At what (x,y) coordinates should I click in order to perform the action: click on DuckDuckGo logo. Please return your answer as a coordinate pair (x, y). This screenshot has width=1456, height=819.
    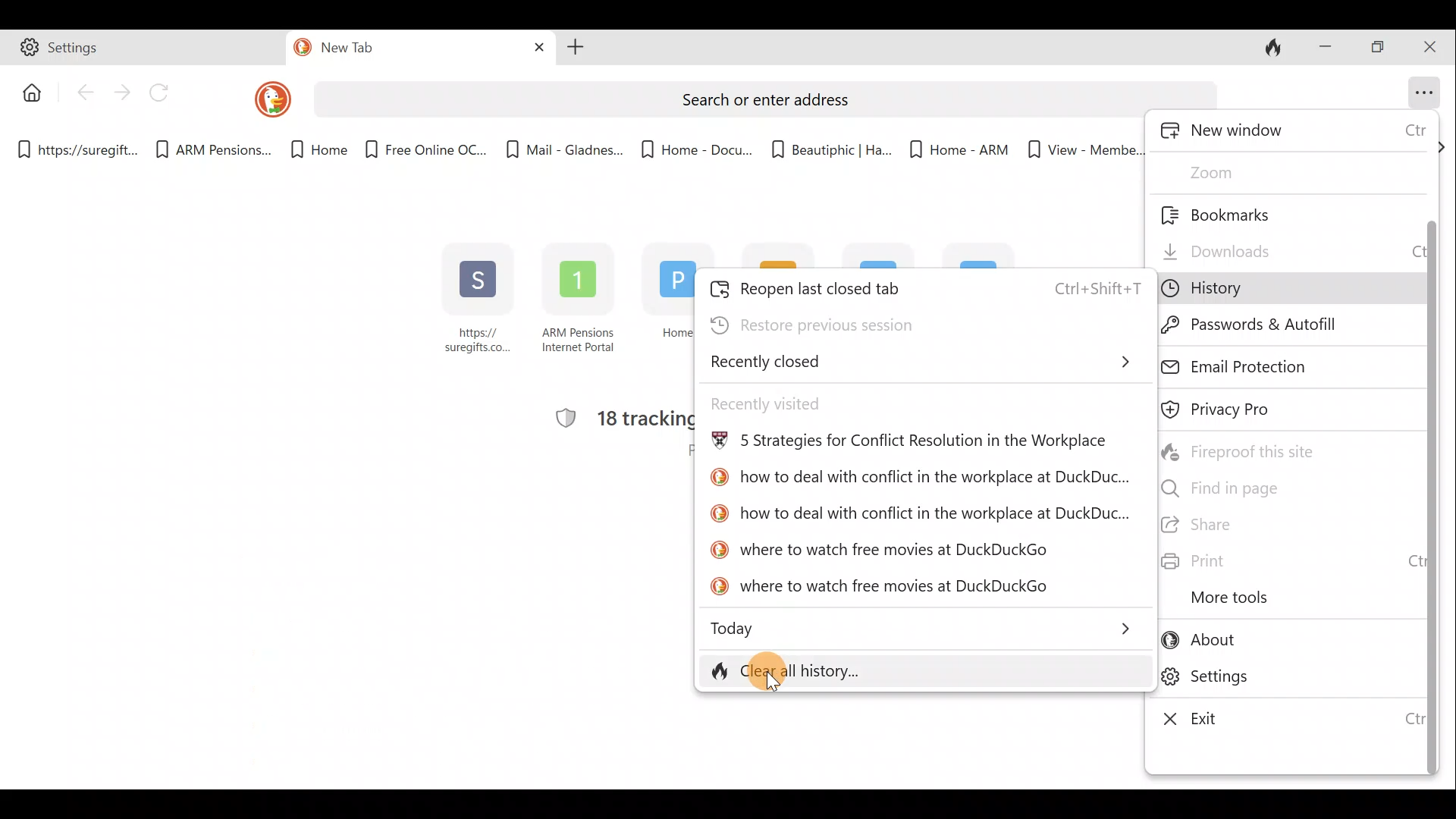
    Looking at the image, I should click on (262, 99).